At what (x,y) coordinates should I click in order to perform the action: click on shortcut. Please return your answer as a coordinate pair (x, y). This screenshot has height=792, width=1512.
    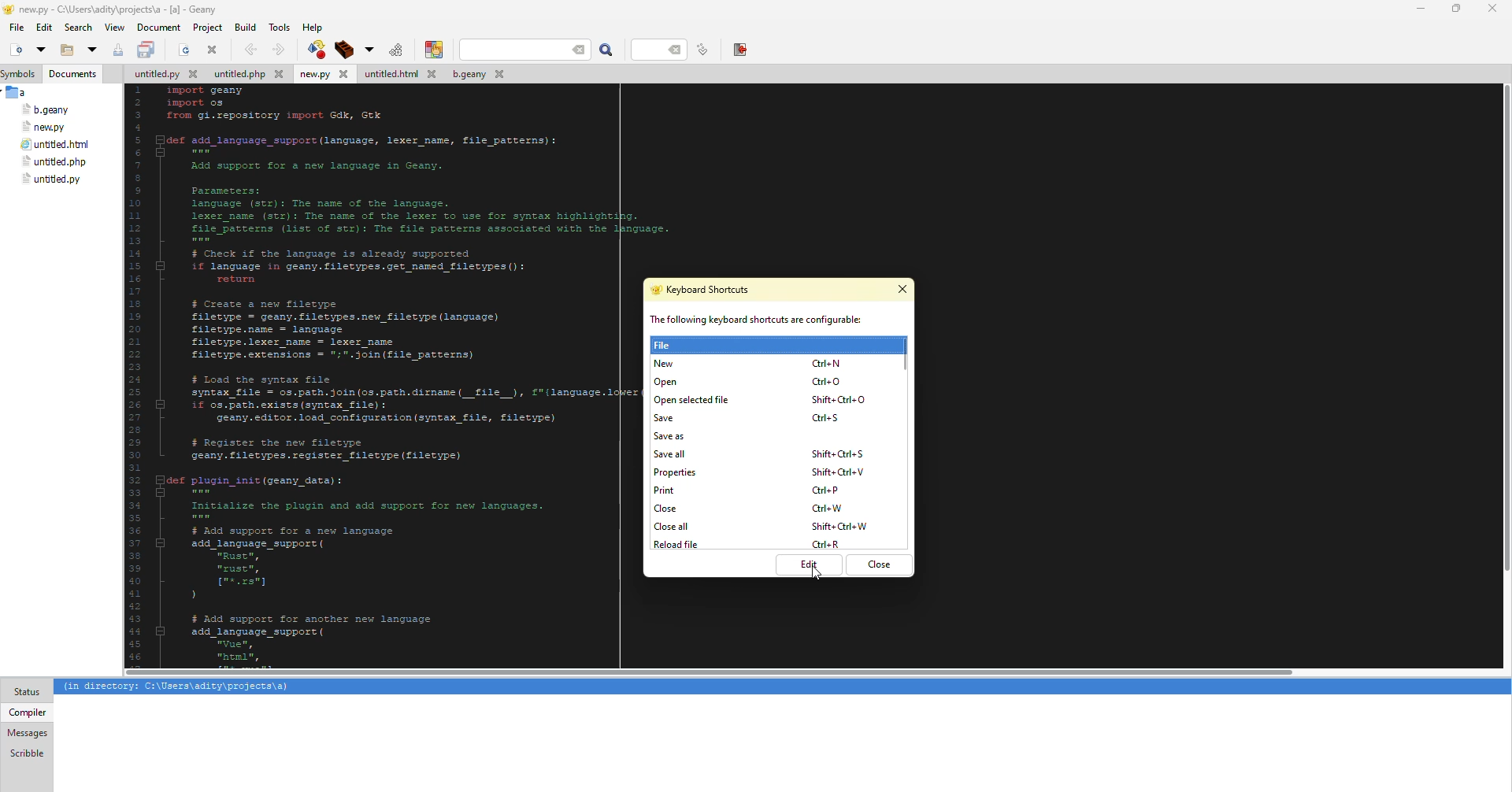
    Looking at the image, I should click on (825, 361).